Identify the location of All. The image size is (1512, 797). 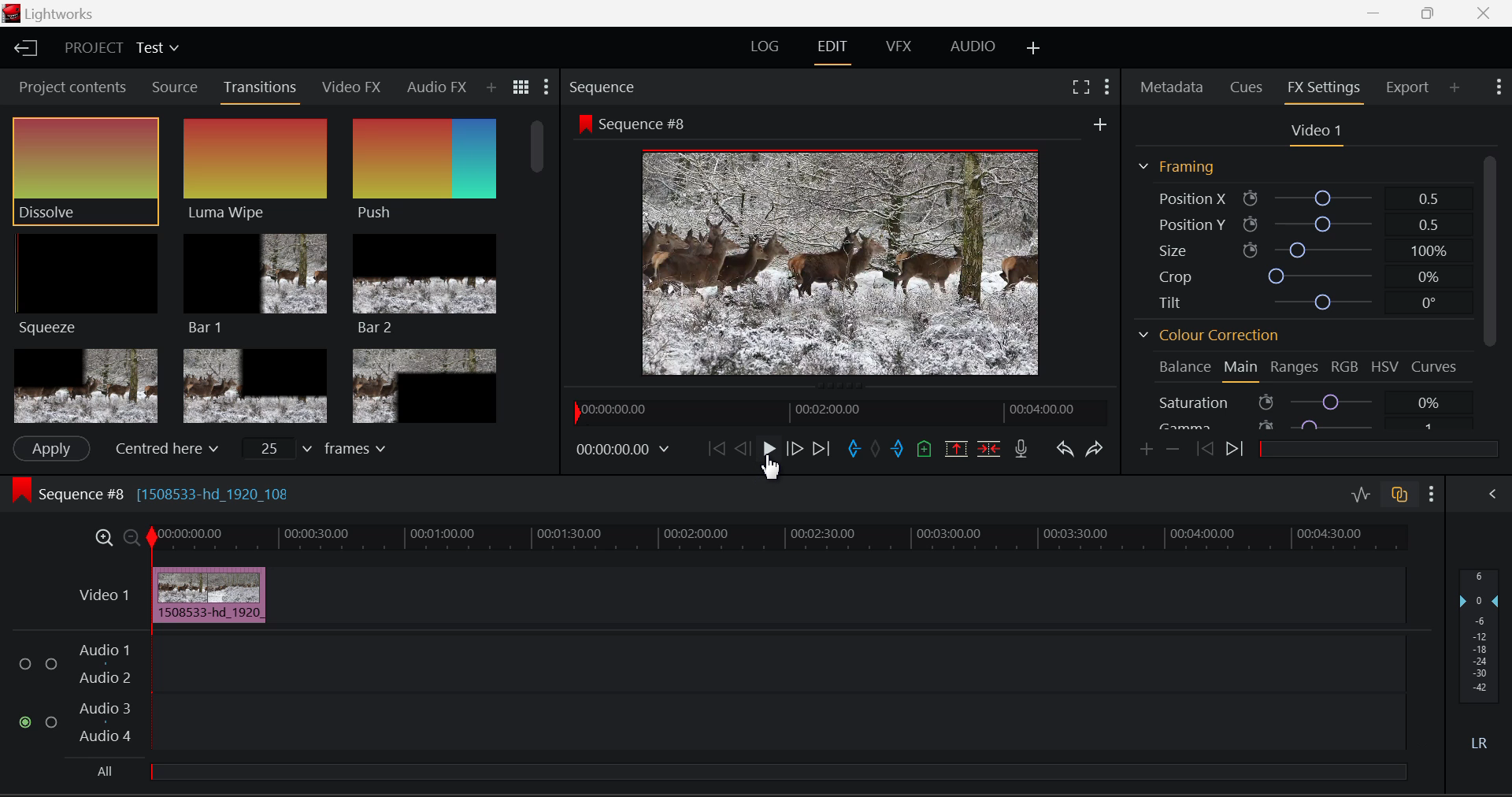
(102, 771).